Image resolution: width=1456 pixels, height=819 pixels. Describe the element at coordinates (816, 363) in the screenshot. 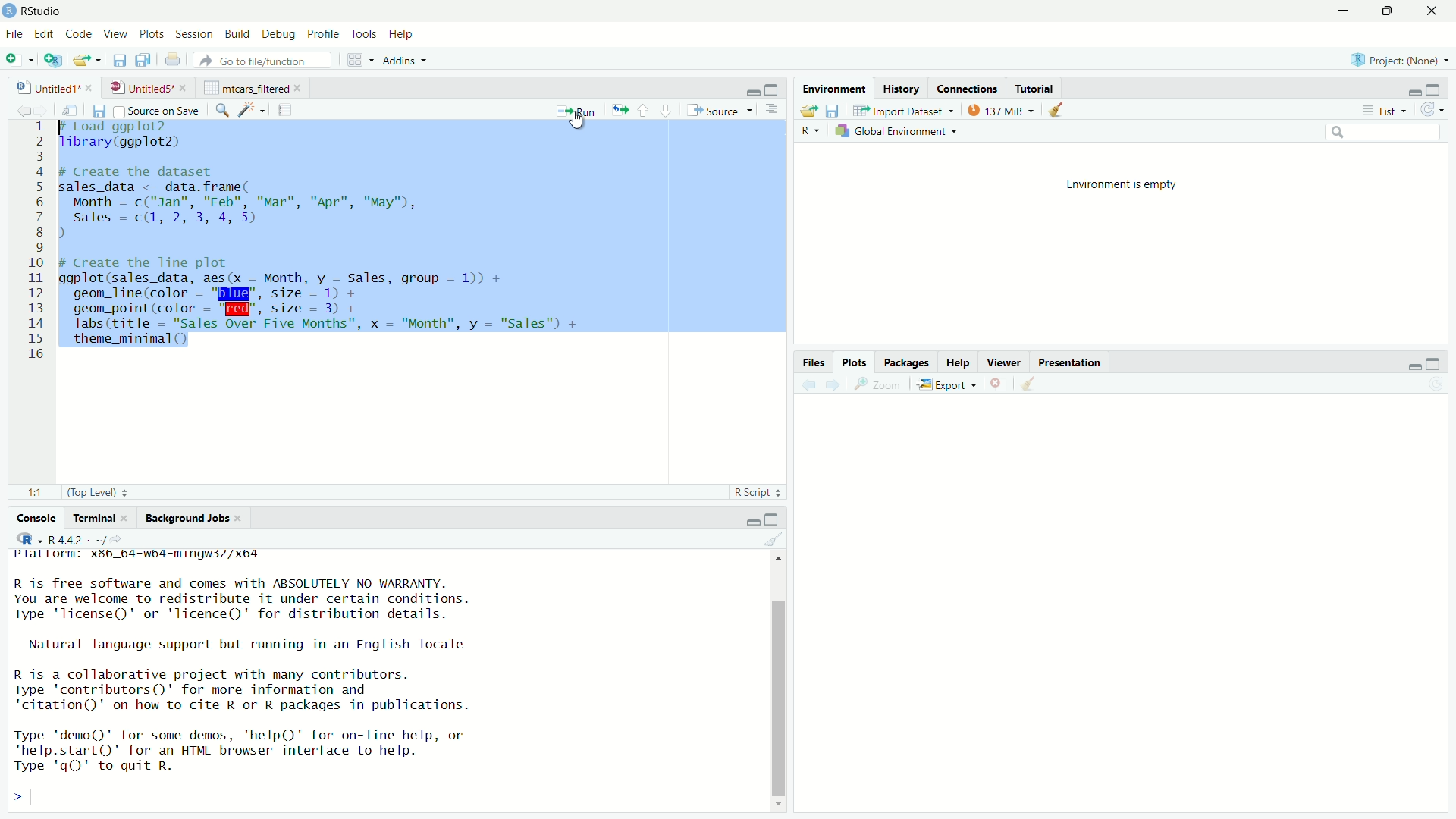

I see `files` at that location.